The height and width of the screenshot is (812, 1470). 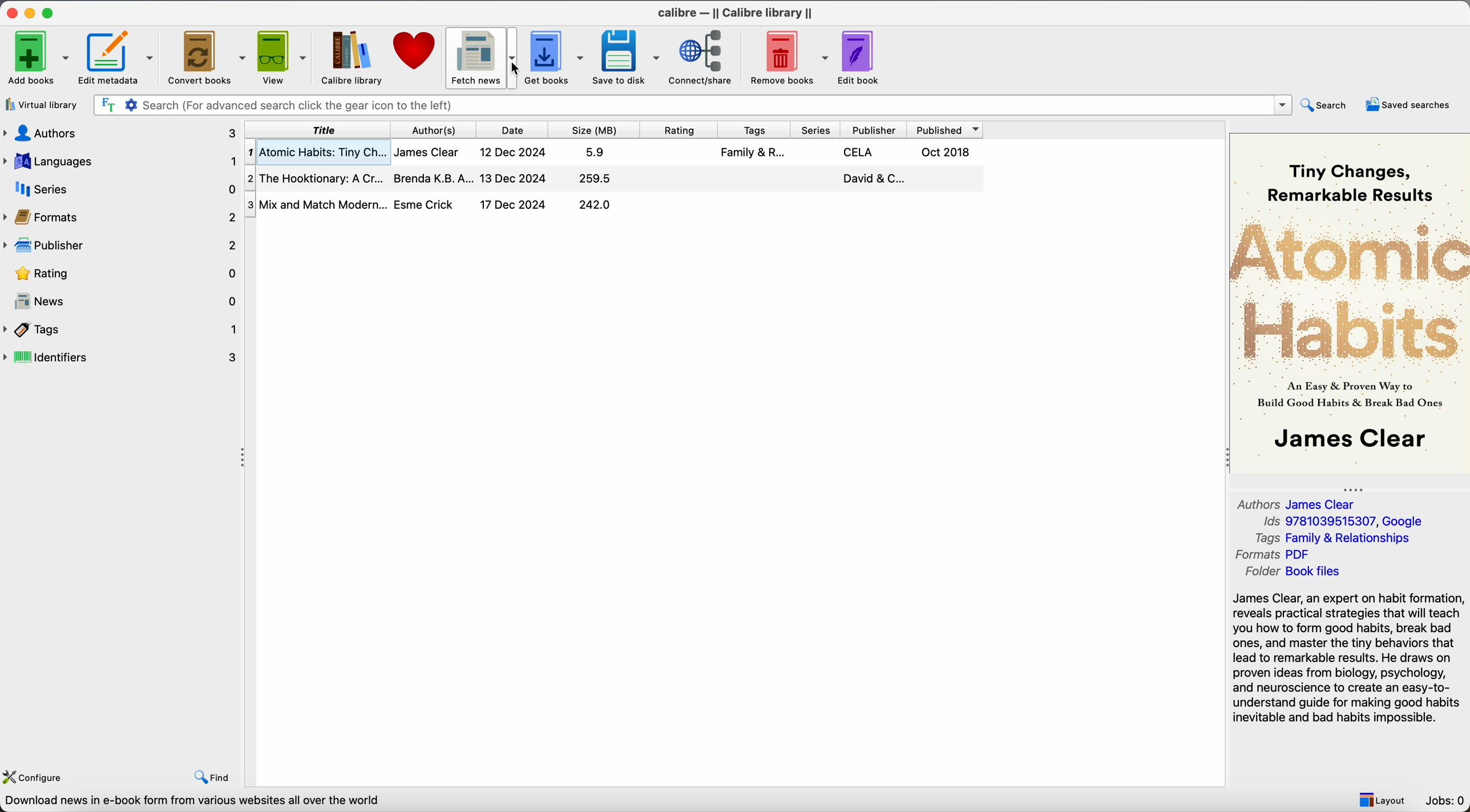 I want to click on Esme Crick, so click(x=426, y=204).